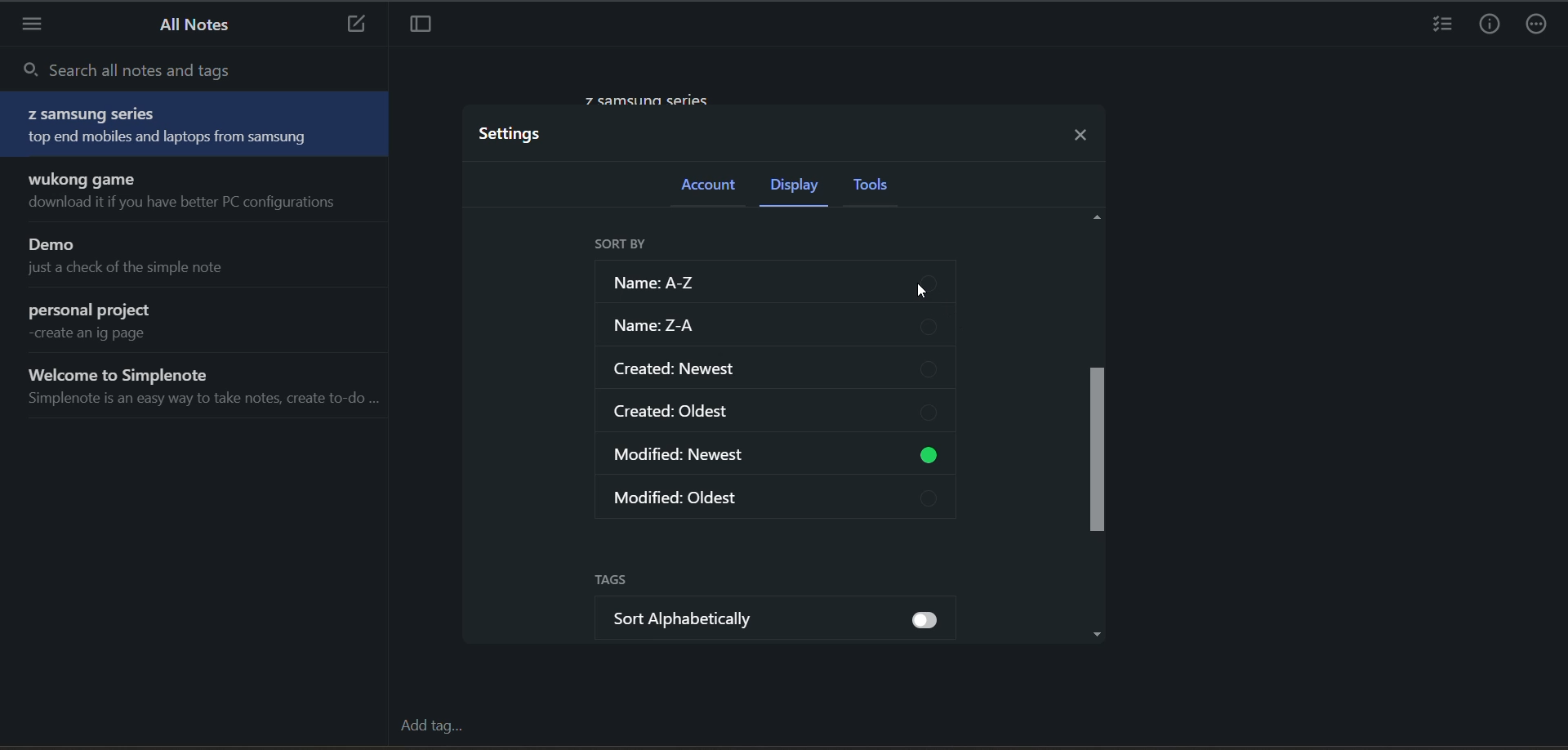 Image resolution: width=1568 pixels, height=750 pixels. What do you see at coordinates (780, 458) in the screenshot?
I see `modified: newest` at bounding box center [780, 458].